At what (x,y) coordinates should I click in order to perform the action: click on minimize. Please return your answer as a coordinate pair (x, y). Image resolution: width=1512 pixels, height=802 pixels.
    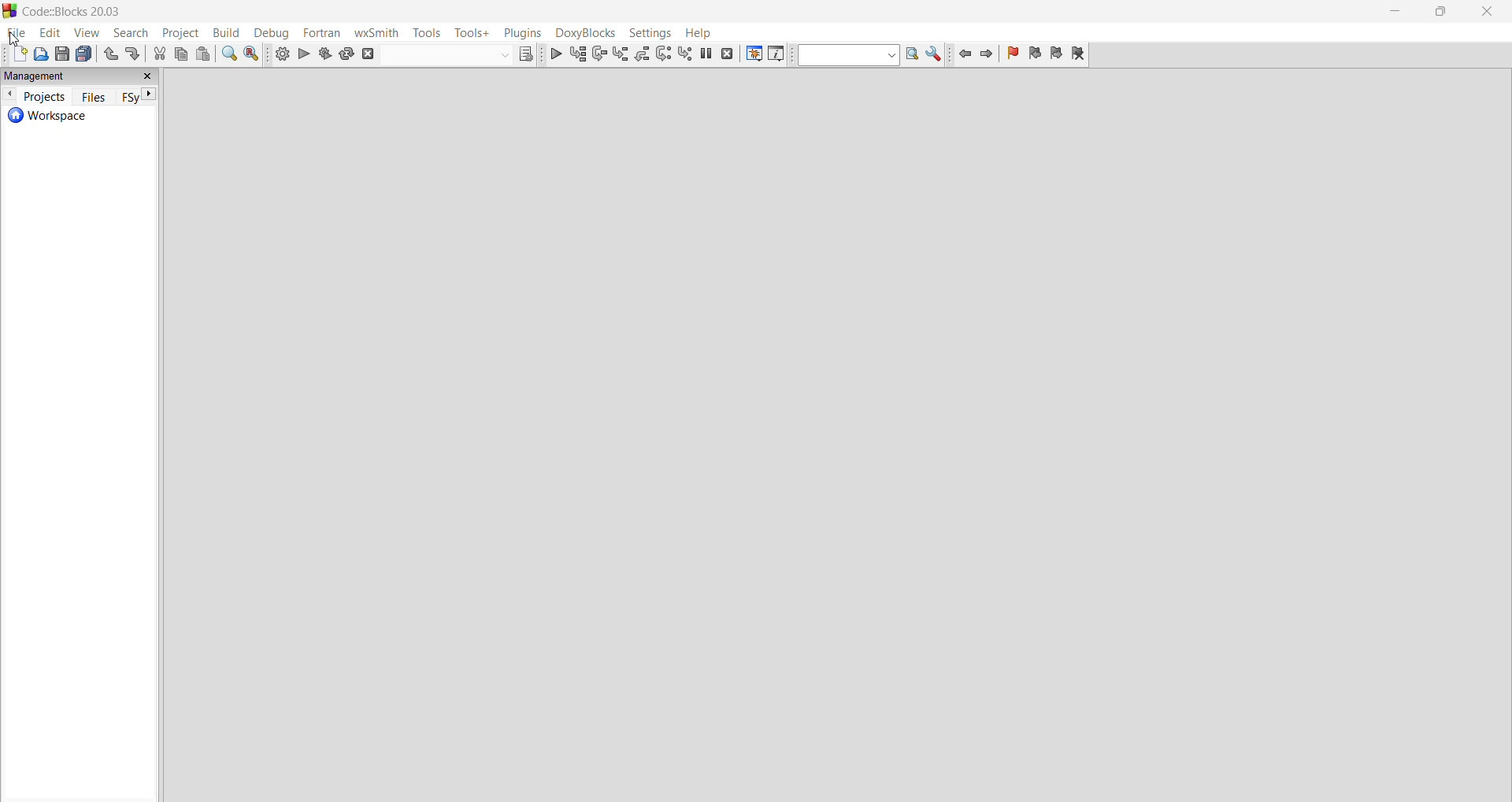
    Looking at the image, I should click on (1396, 13).